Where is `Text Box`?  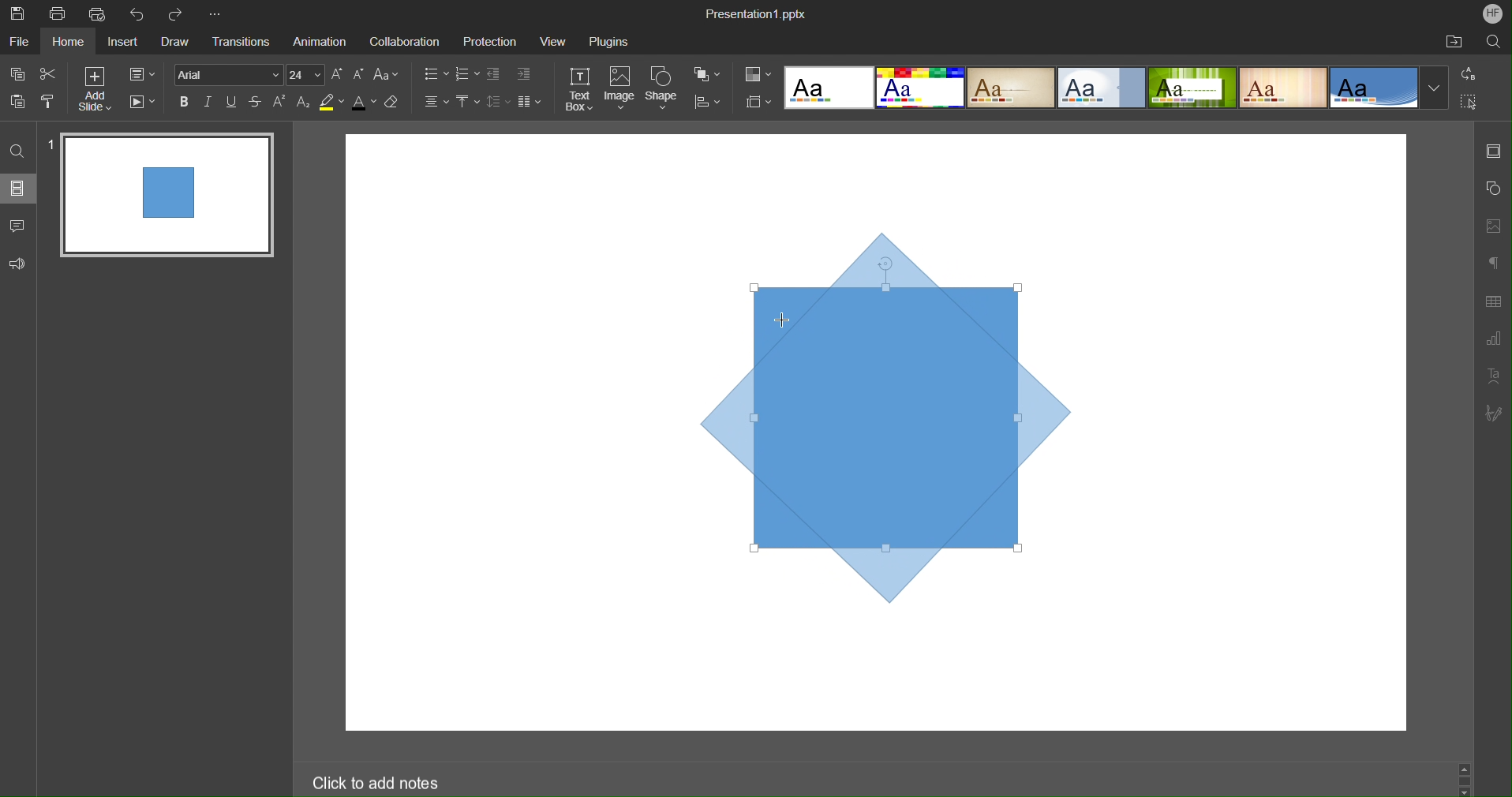
Text Box is located at coordinates (582, 89).